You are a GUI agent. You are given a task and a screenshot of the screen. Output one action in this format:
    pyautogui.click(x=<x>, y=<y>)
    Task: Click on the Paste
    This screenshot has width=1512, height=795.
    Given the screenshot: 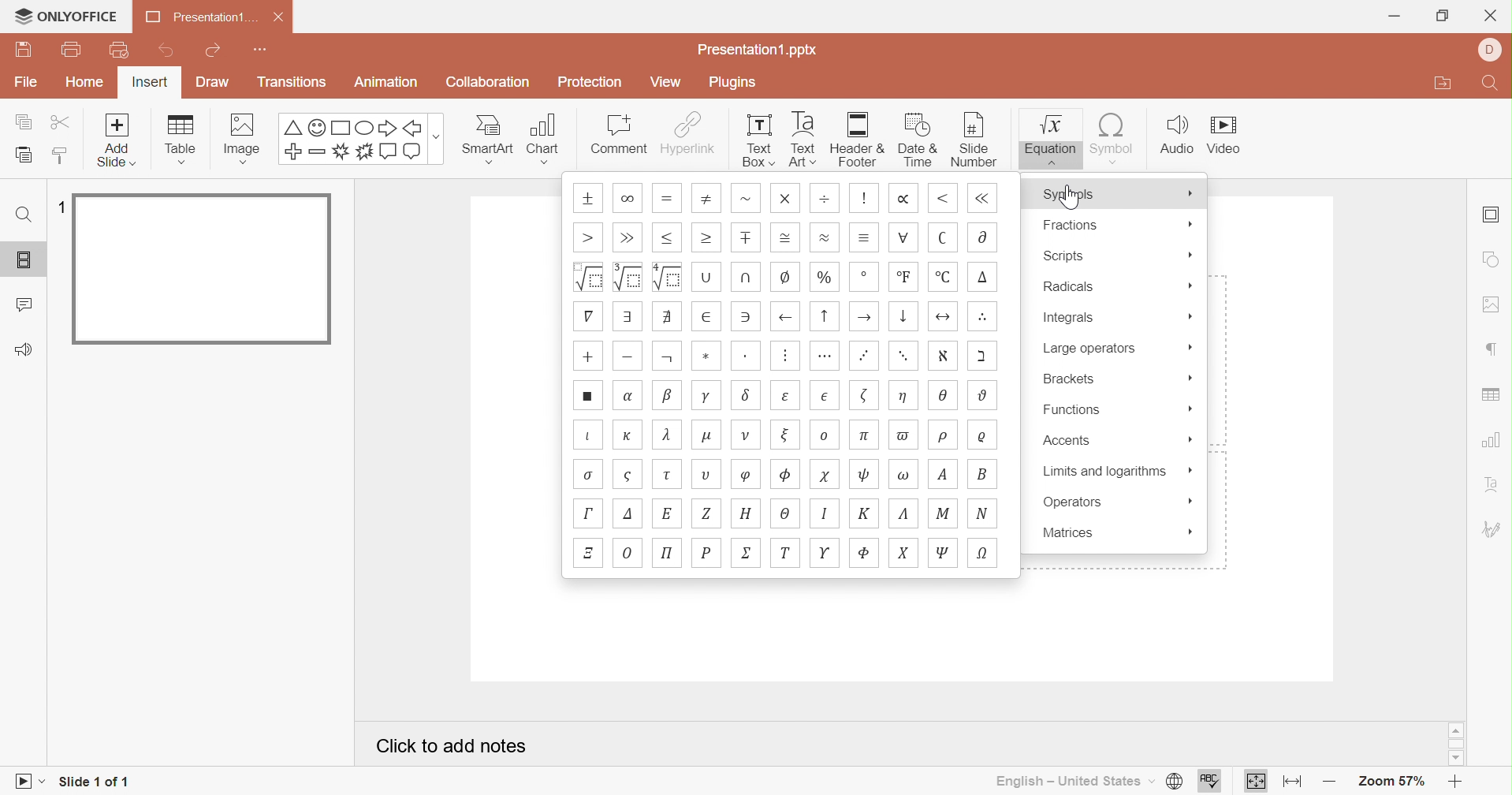 What is the action you would take?
    pyautogui.click(x=23, y=154)
    